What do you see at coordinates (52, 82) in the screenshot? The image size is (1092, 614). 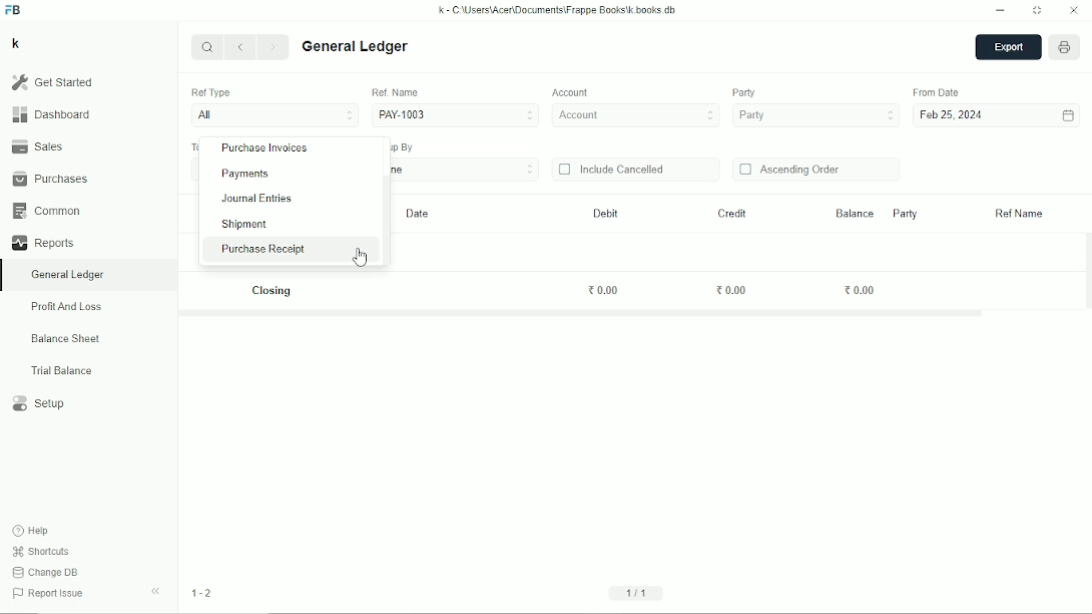 I see `Get started` at bounding box center [52, 82].